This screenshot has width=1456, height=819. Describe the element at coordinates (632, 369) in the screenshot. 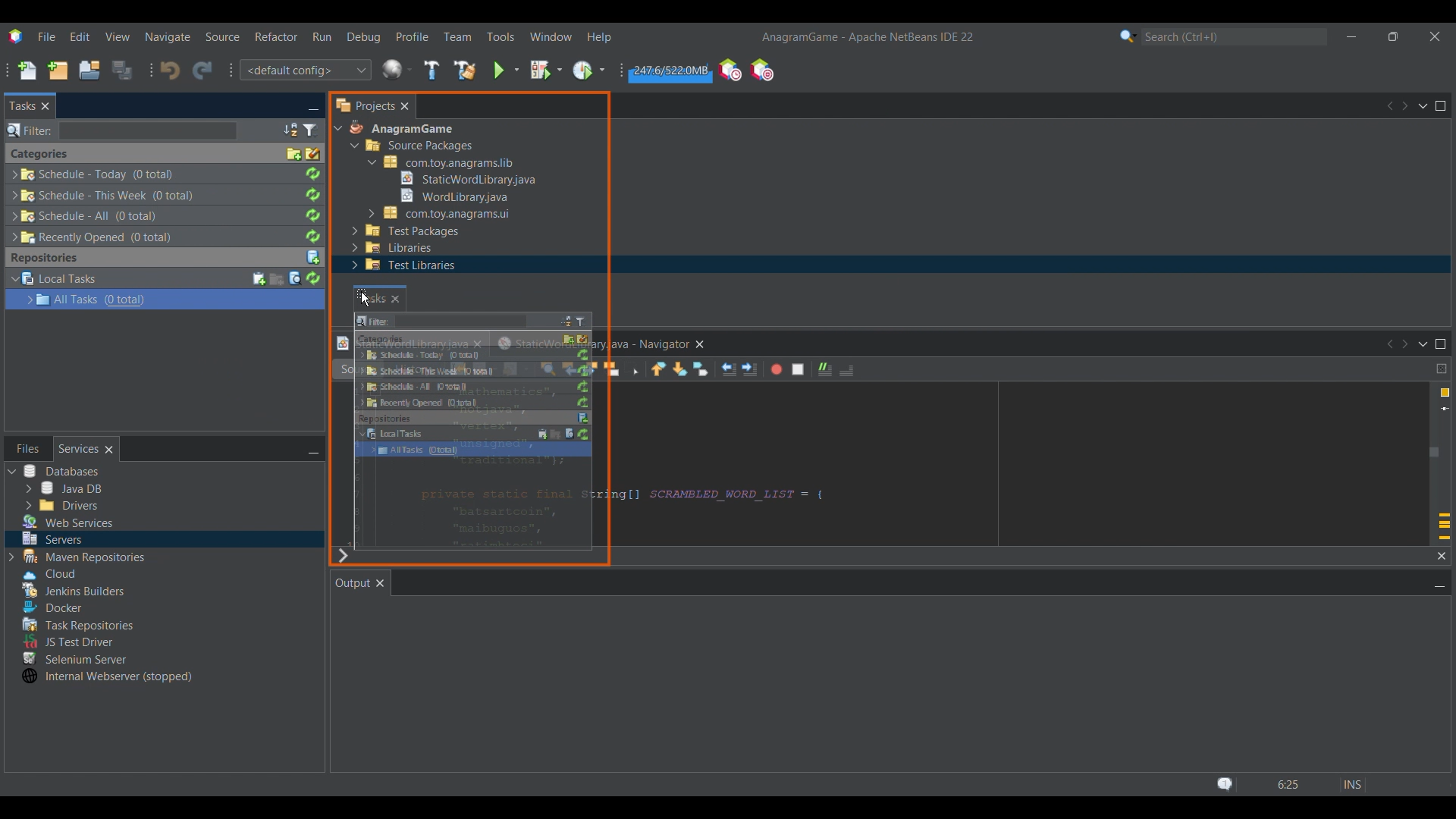

I see `Toggle rectangular selection` at that location.